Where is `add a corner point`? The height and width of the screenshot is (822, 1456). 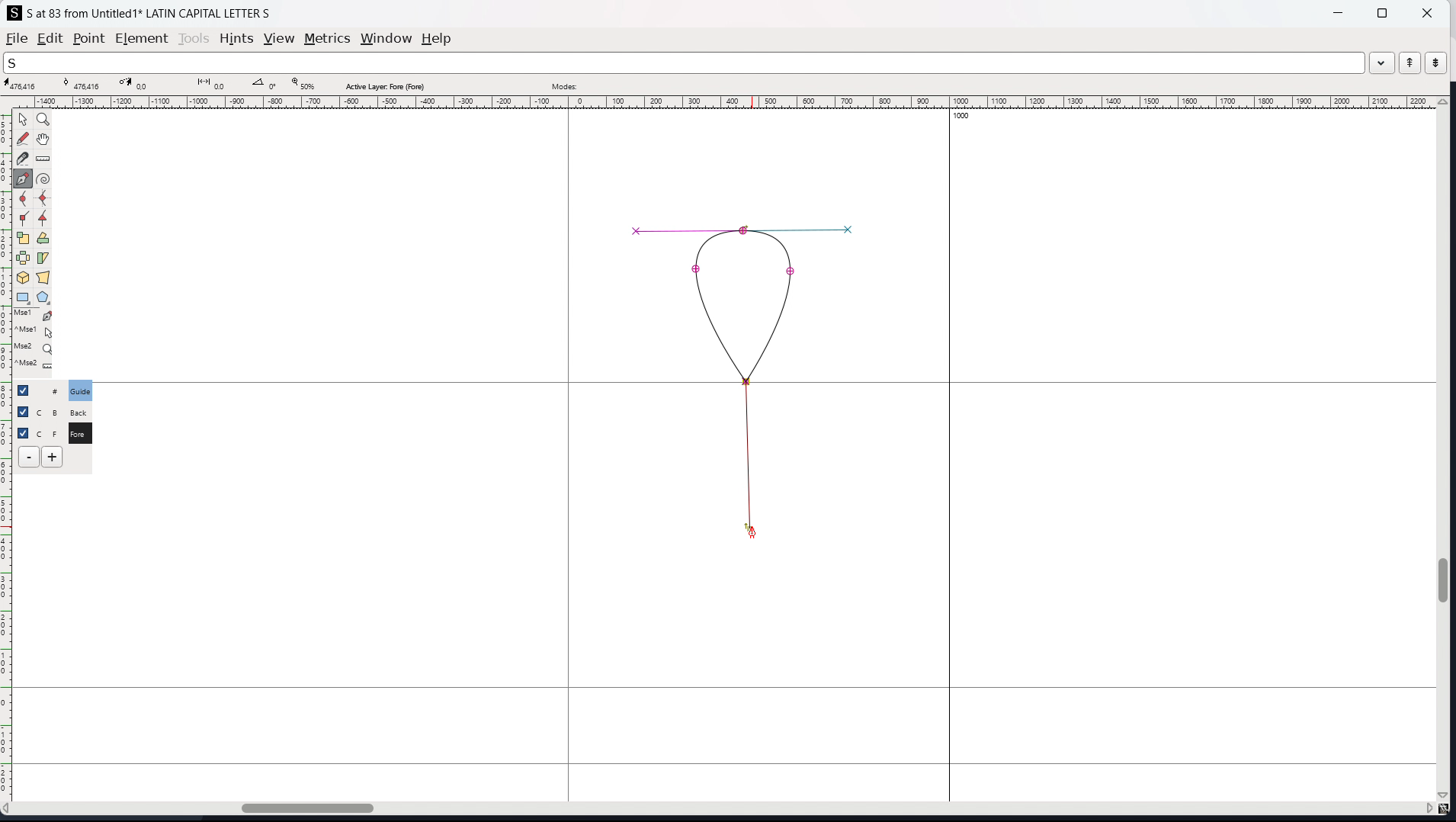 add a corner point is located at coordinates (24, 220).